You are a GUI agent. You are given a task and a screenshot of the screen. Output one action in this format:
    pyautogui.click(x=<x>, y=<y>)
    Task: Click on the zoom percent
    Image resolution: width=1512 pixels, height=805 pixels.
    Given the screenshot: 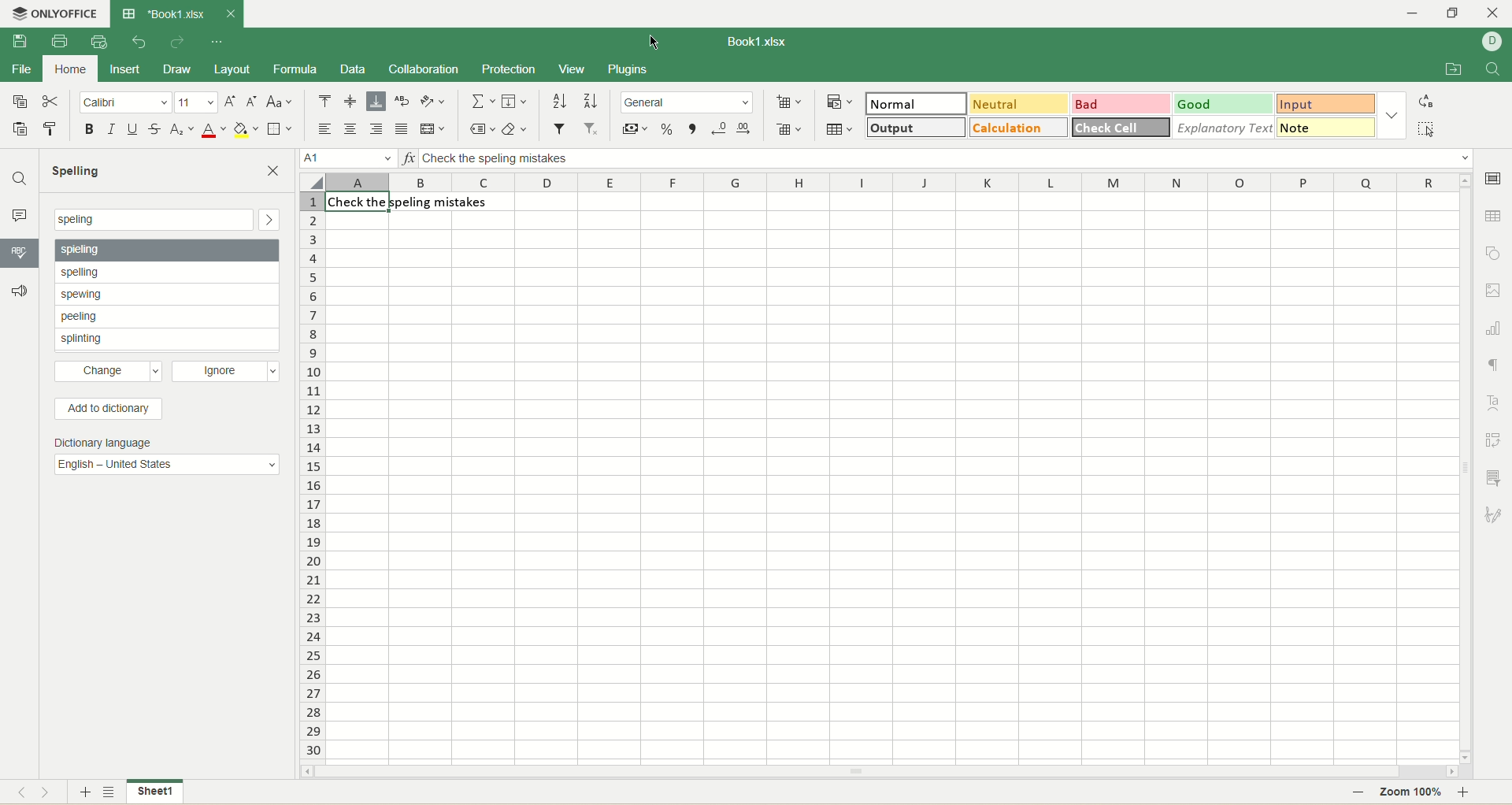 What is the action you would take?
    pyautogui.click(x=1415, y=793)
    